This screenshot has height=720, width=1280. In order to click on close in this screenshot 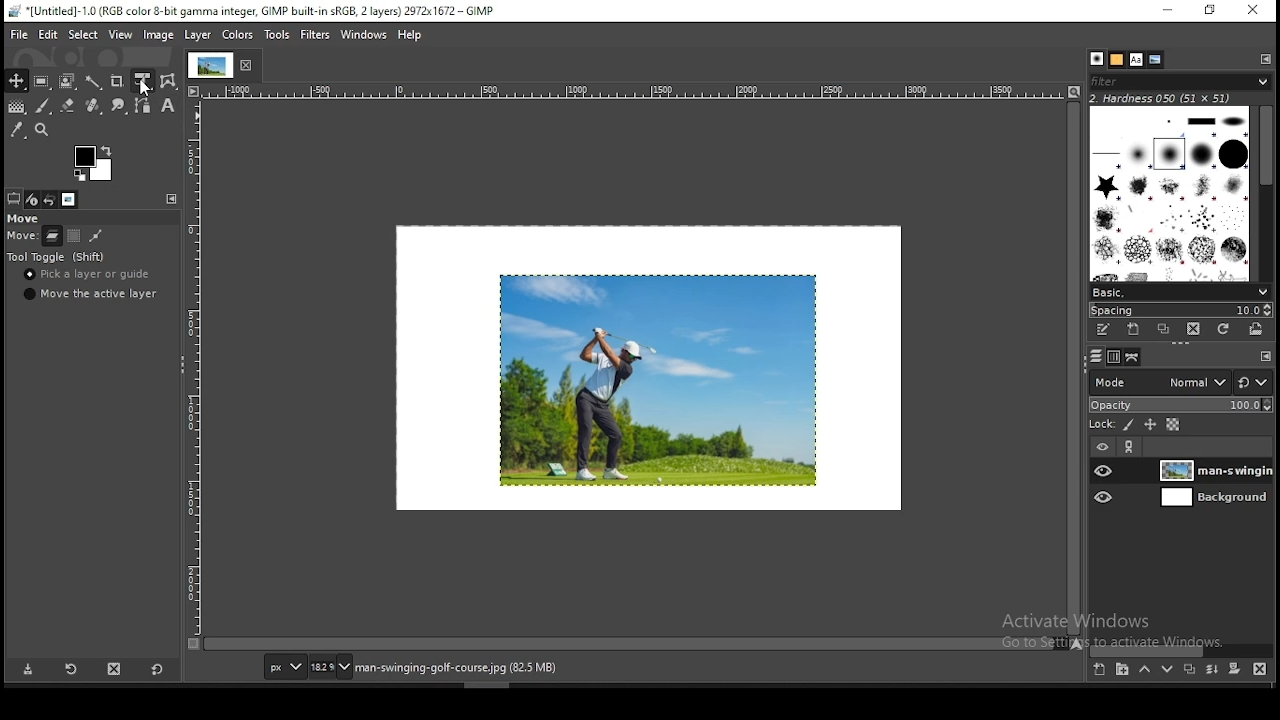, I will do `click(250, 66)`.